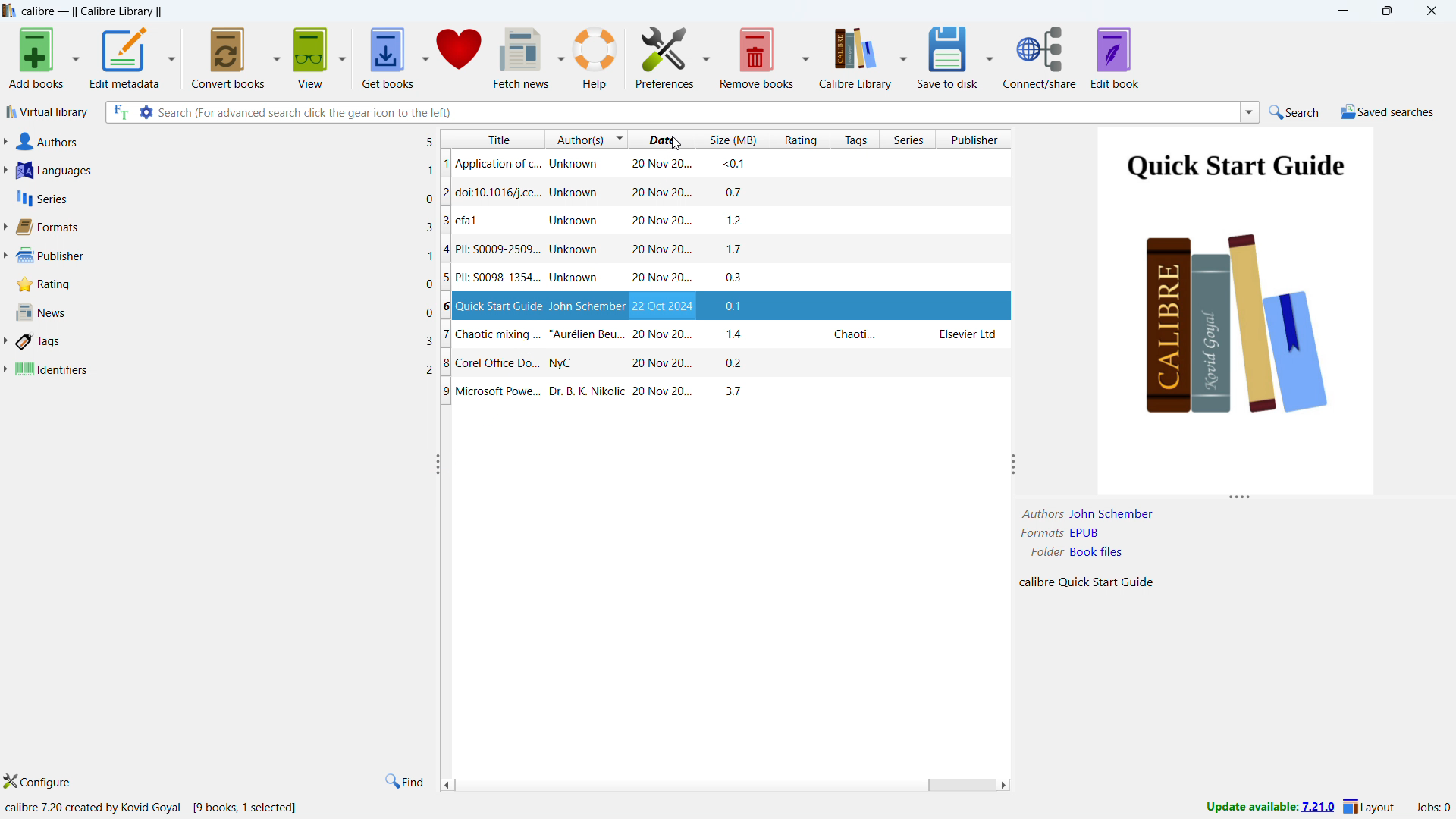 The width and height of the screenshot is (1456, 819). I want to click on size, so click(733, 139).